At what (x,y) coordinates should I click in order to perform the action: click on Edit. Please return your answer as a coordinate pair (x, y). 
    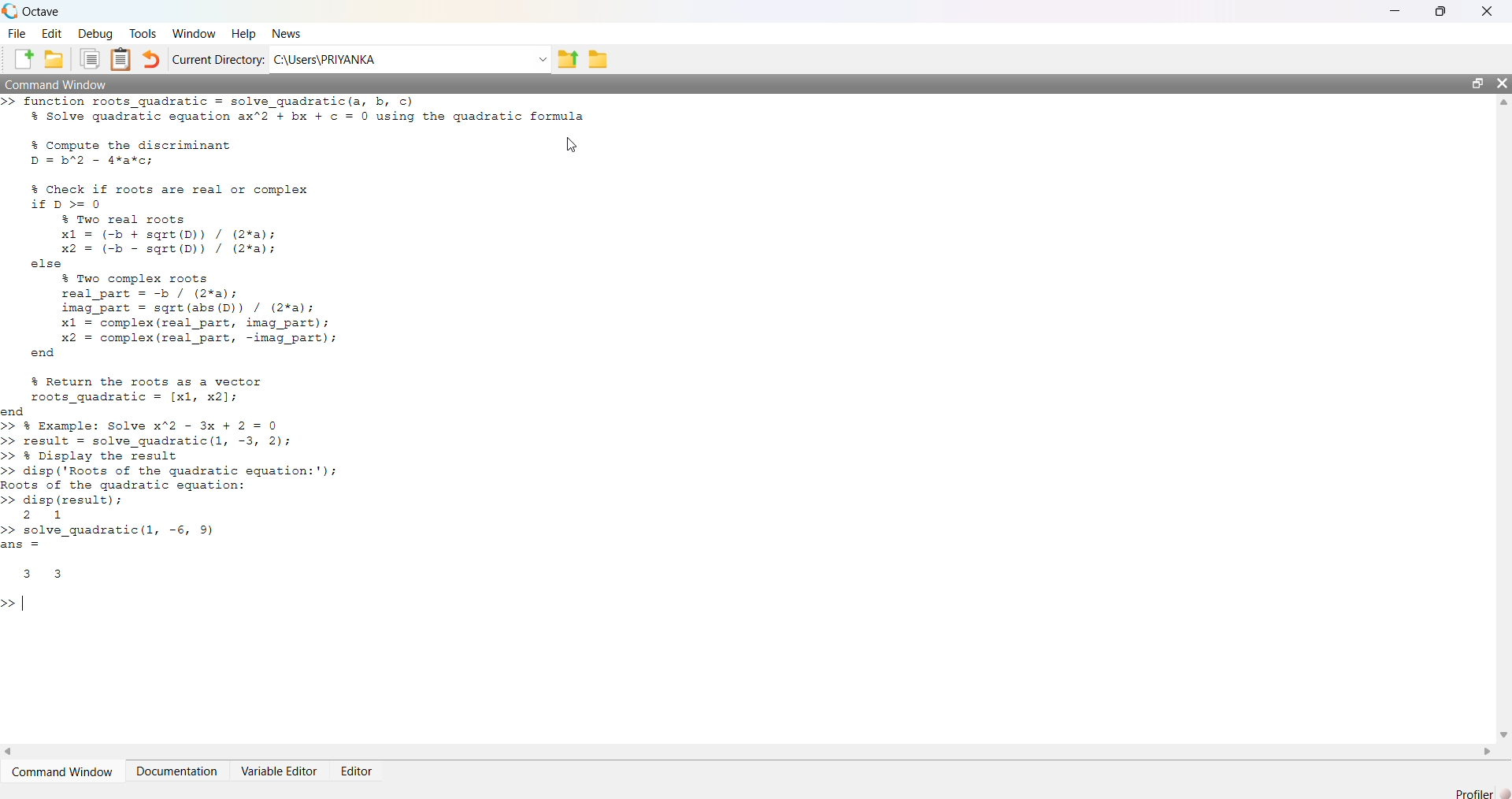
    Looking at the image, I should click on (52, 32).